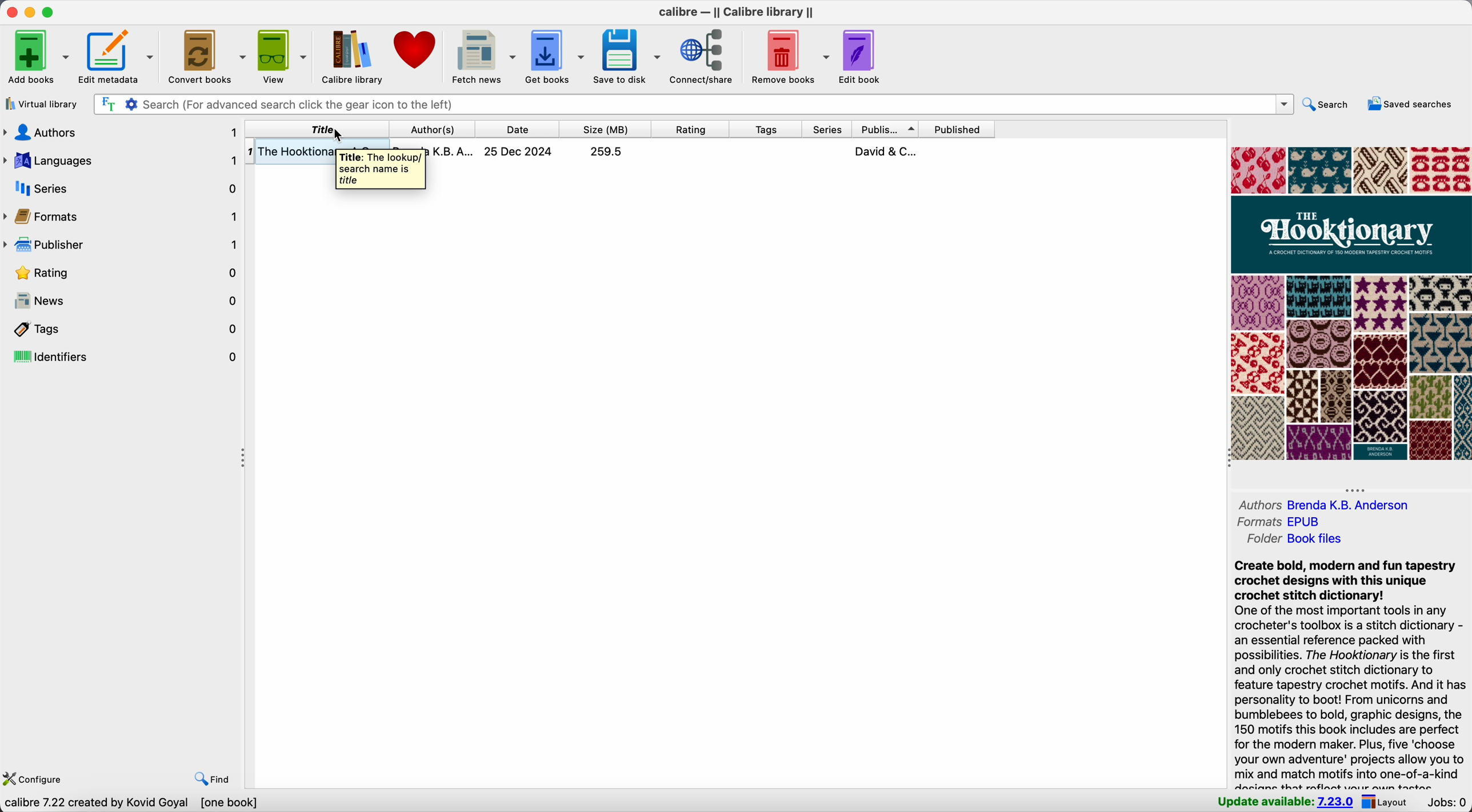  I want to click on published, so click(957, 129).